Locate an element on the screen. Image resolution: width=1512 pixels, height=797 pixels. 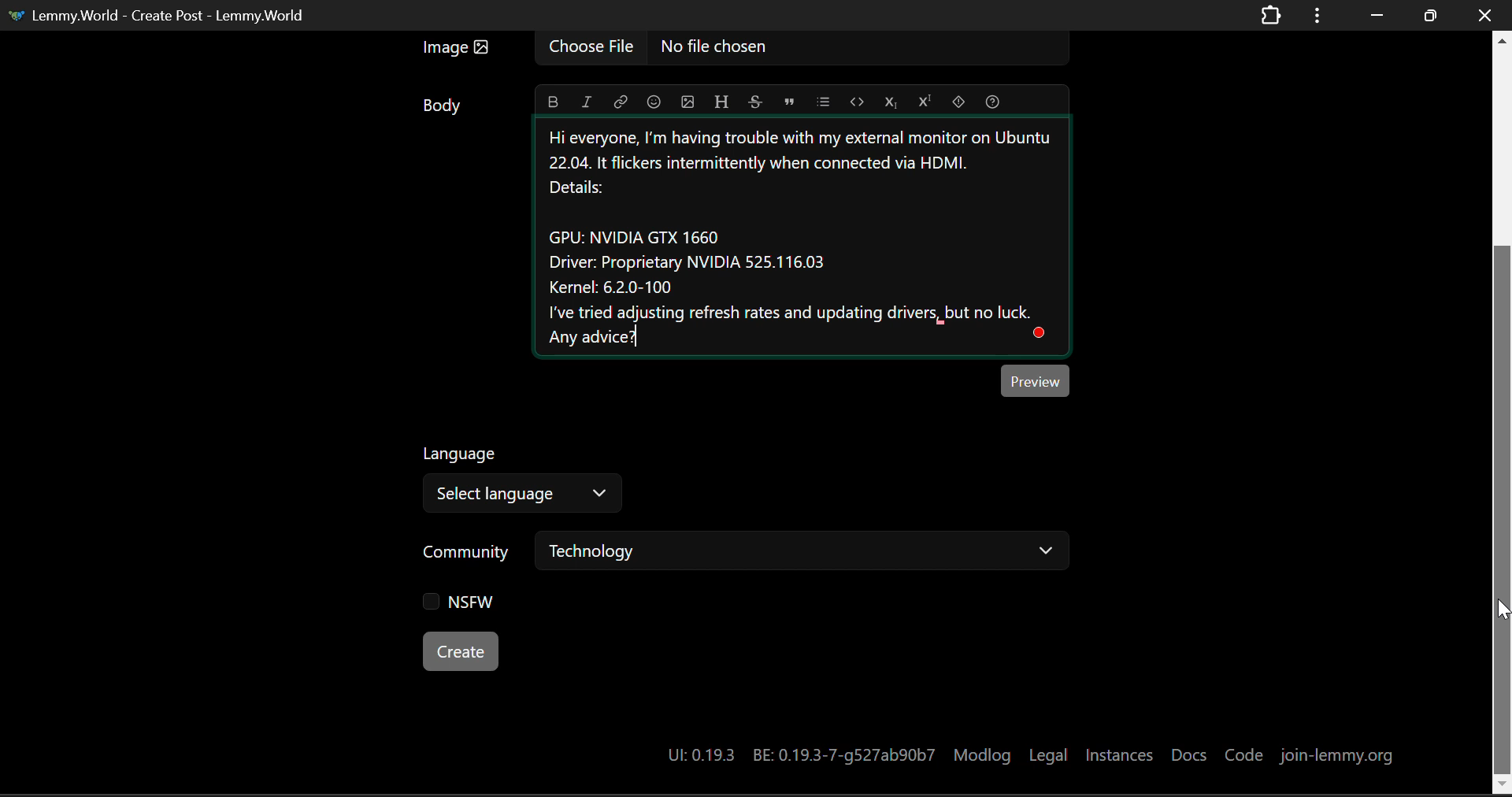
Minimize Window is located at coordinates (1428, 17).